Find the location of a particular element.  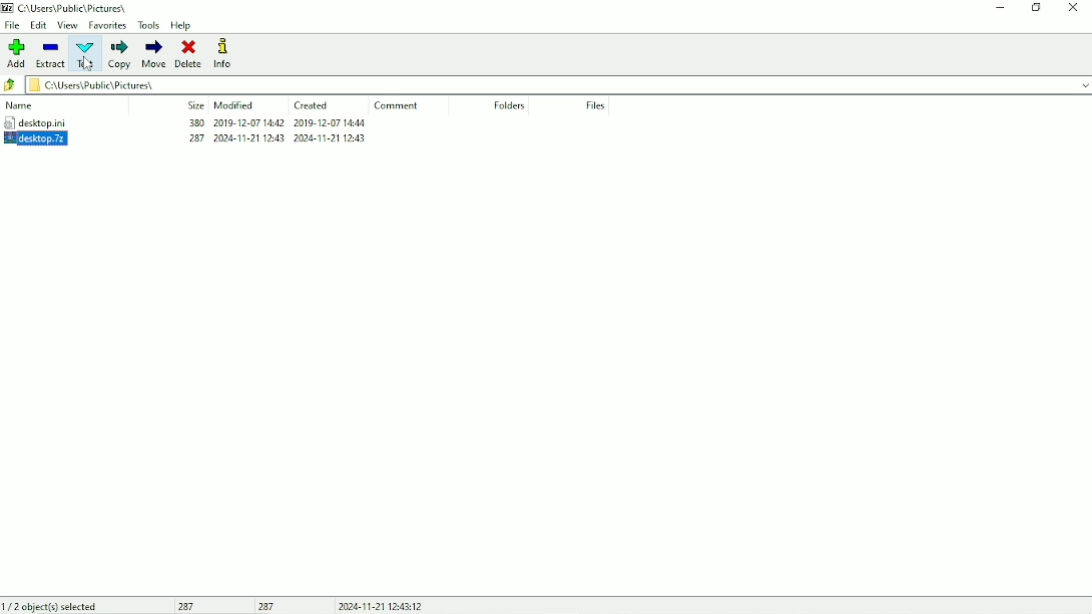

View is located at coordinates (67, 25).